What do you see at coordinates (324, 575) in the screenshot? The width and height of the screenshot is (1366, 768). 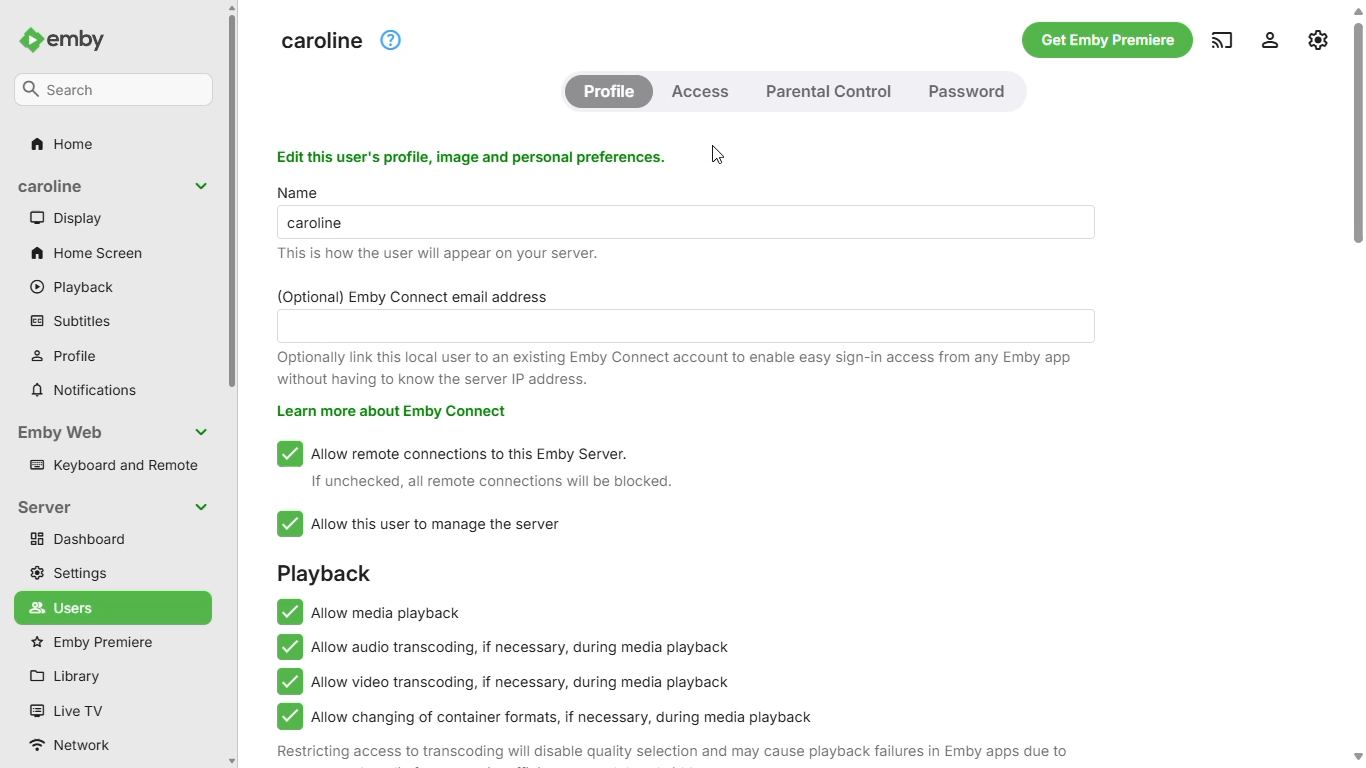 I see `playback` at bounding box center [324, 575].